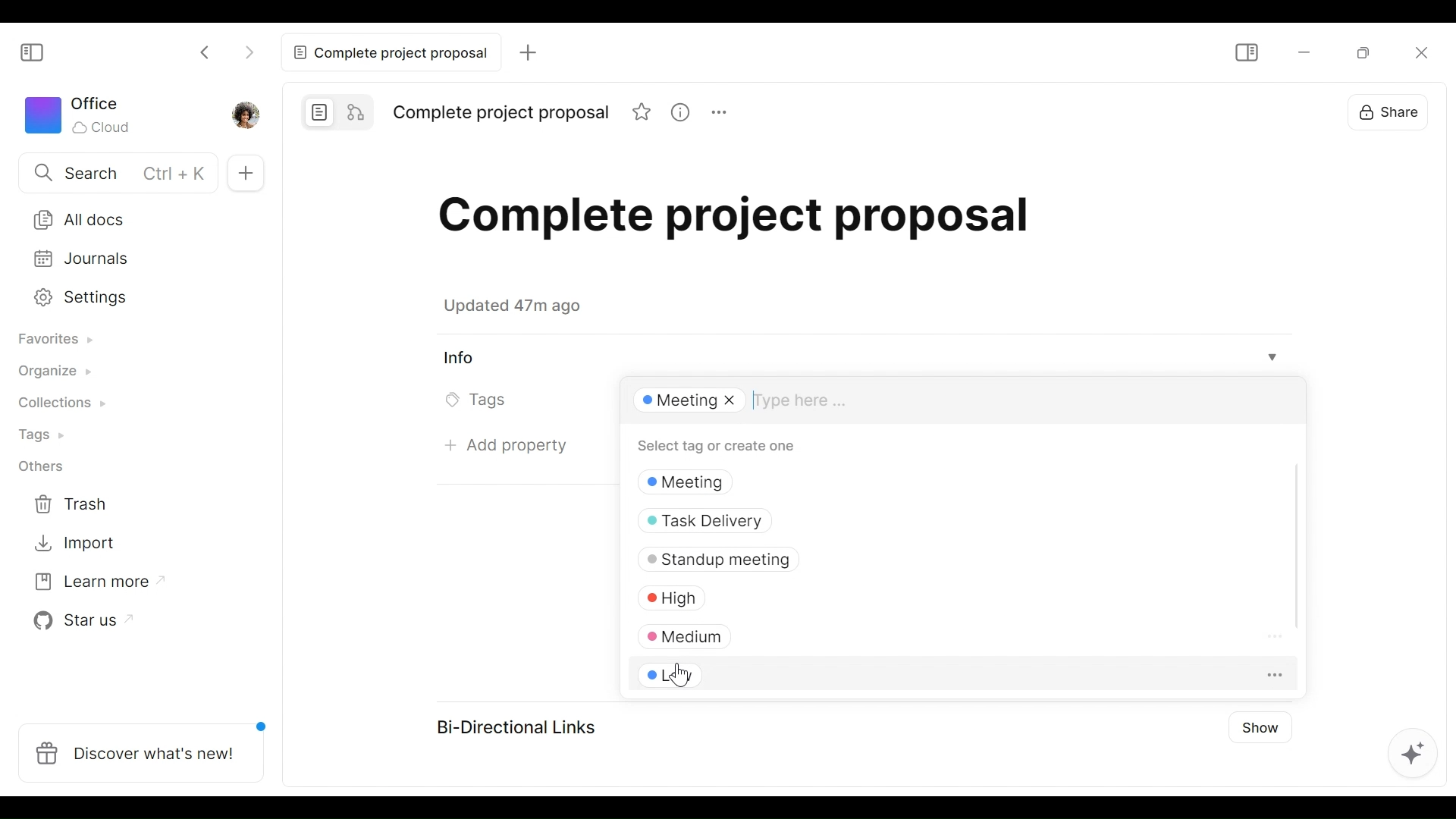 This screenshot has height=819, width=1456. What do you see at coordinates (686, 402) in the screenshot?
I see `Meeting` at bounding box center [686, 402].